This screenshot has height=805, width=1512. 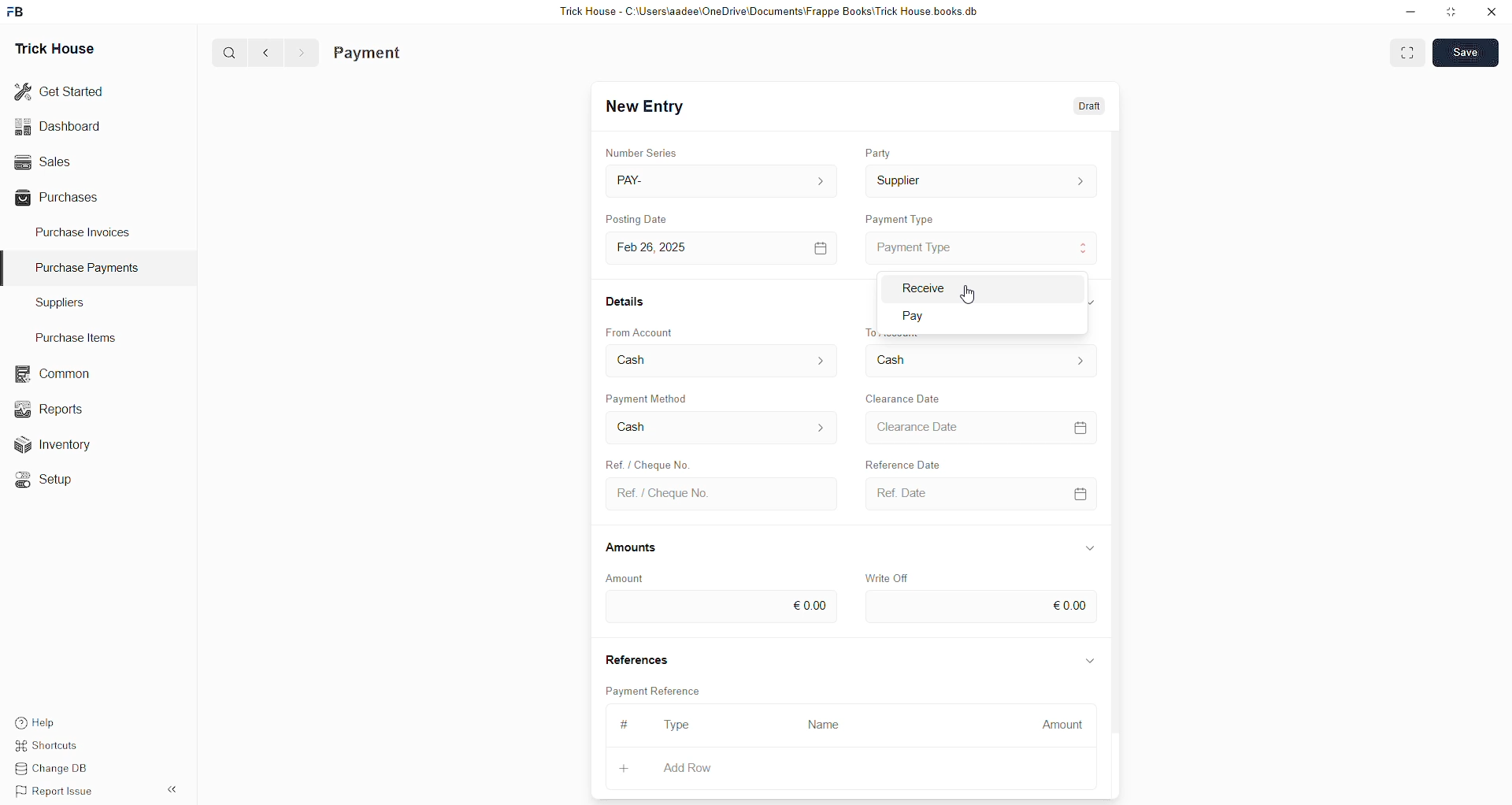 What do you see at coordinates (231, 53) in the screenshot?
I see `search` at bounding box center [231, 53].